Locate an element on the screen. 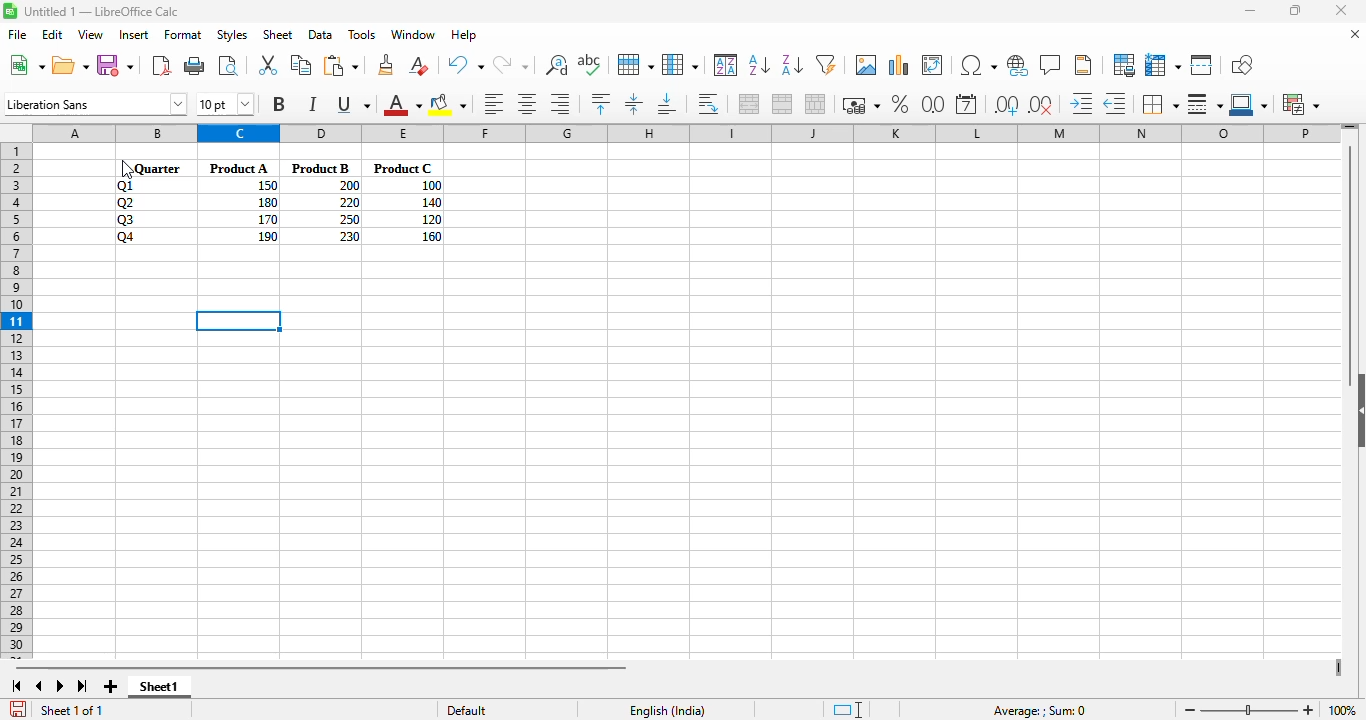 The height and width of the screenshot is (720, 1366). 220 is located at coordinates (349, 202).